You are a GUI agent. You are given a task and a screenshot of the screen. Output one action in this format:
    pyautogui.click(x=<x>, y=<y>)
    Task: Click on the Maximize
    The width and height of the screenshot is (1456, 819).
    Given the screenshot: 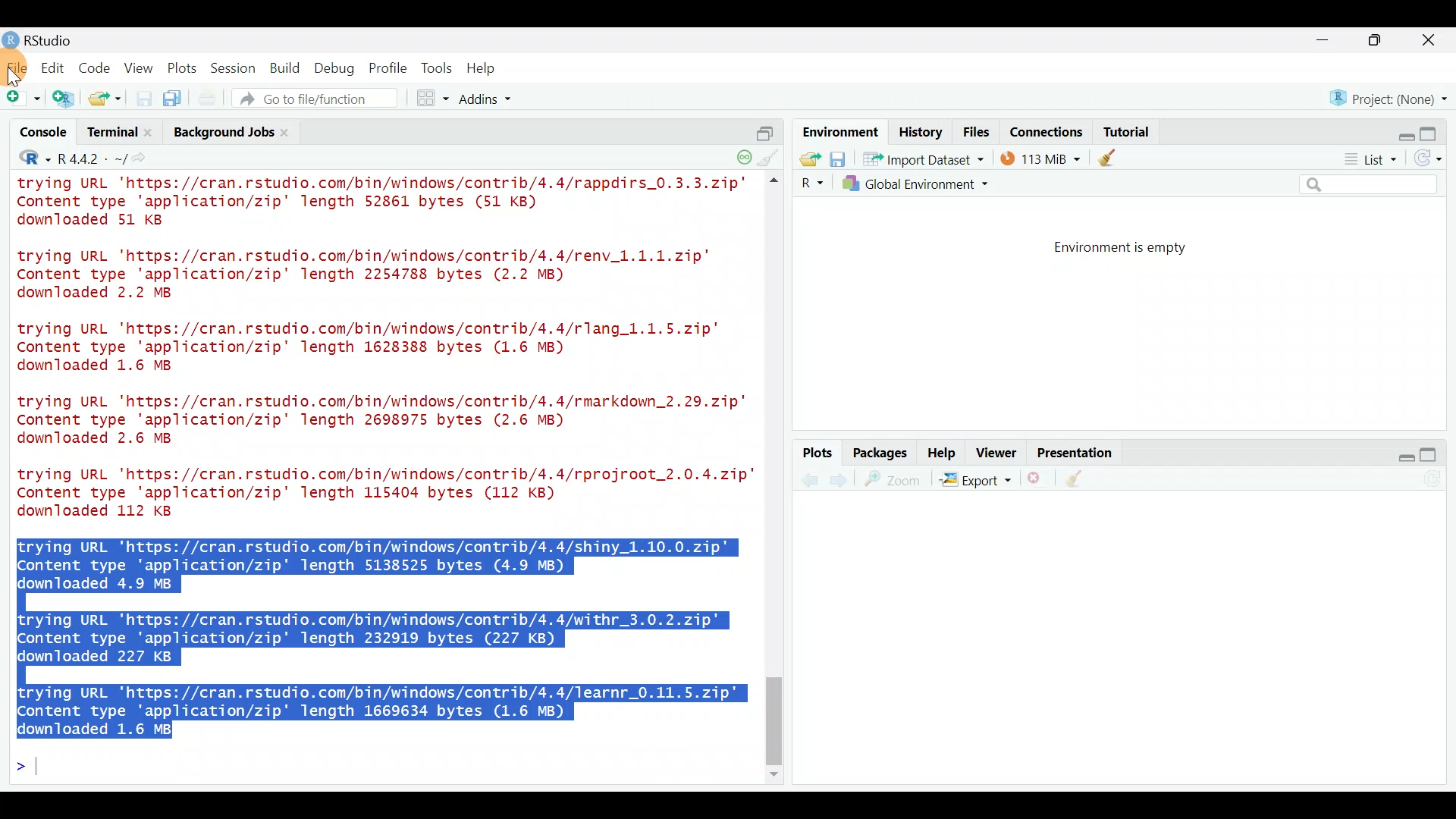 What is the action you would take?
    pyautogui.click(x=1436, y=130)
    